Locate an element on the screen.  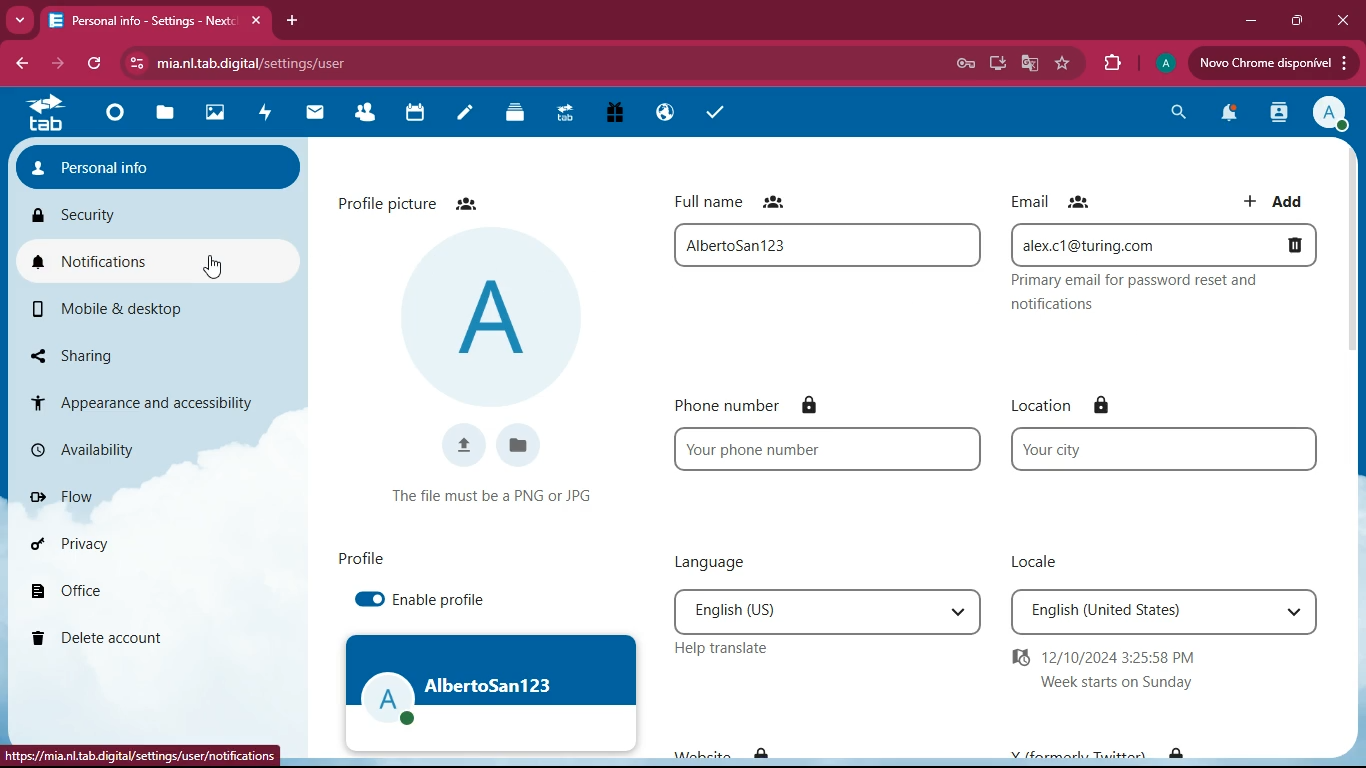
images is located at coordinates (221, 114).